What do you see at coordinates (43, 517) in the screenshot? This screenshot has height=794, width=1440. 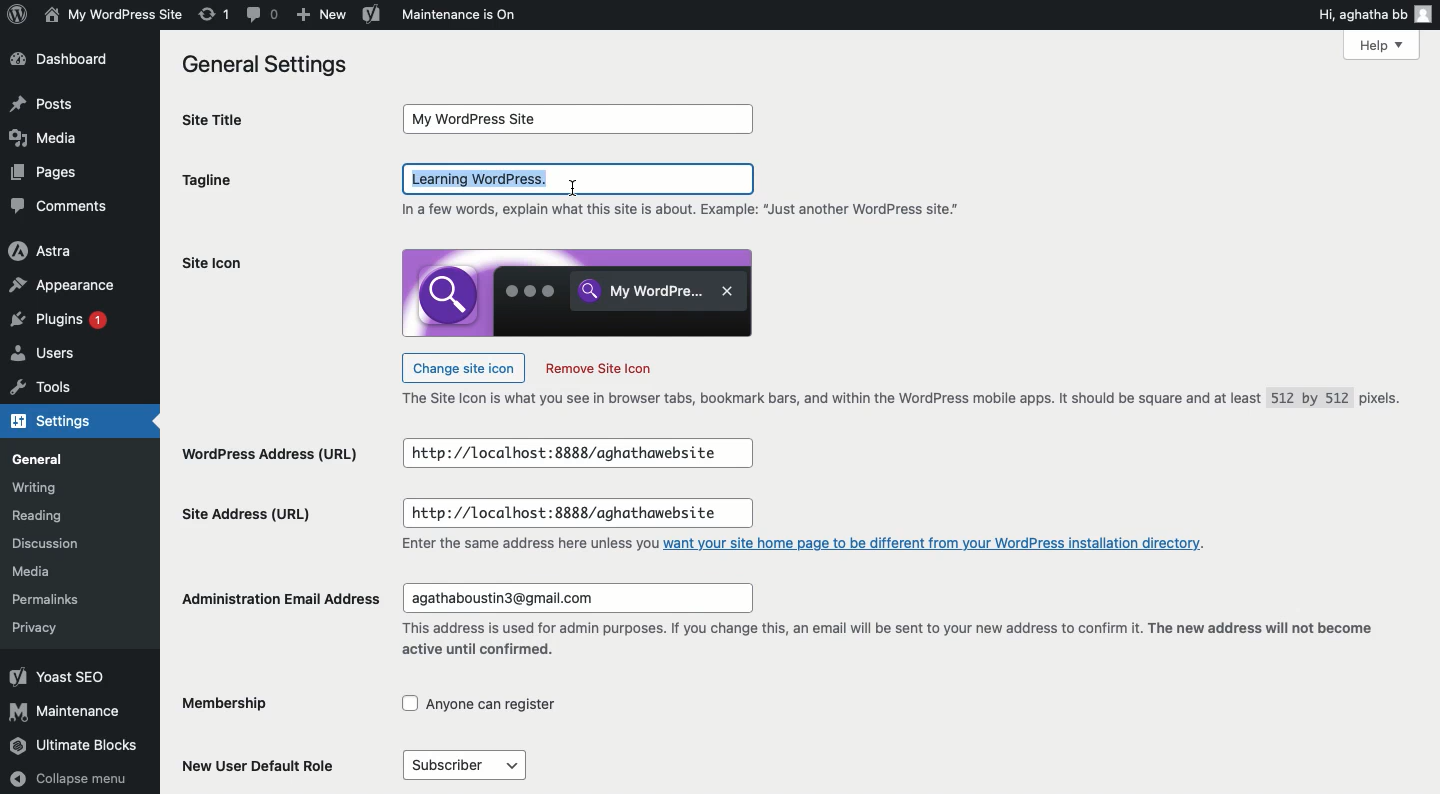 I see `Reading` at bounding box center [43, 517].